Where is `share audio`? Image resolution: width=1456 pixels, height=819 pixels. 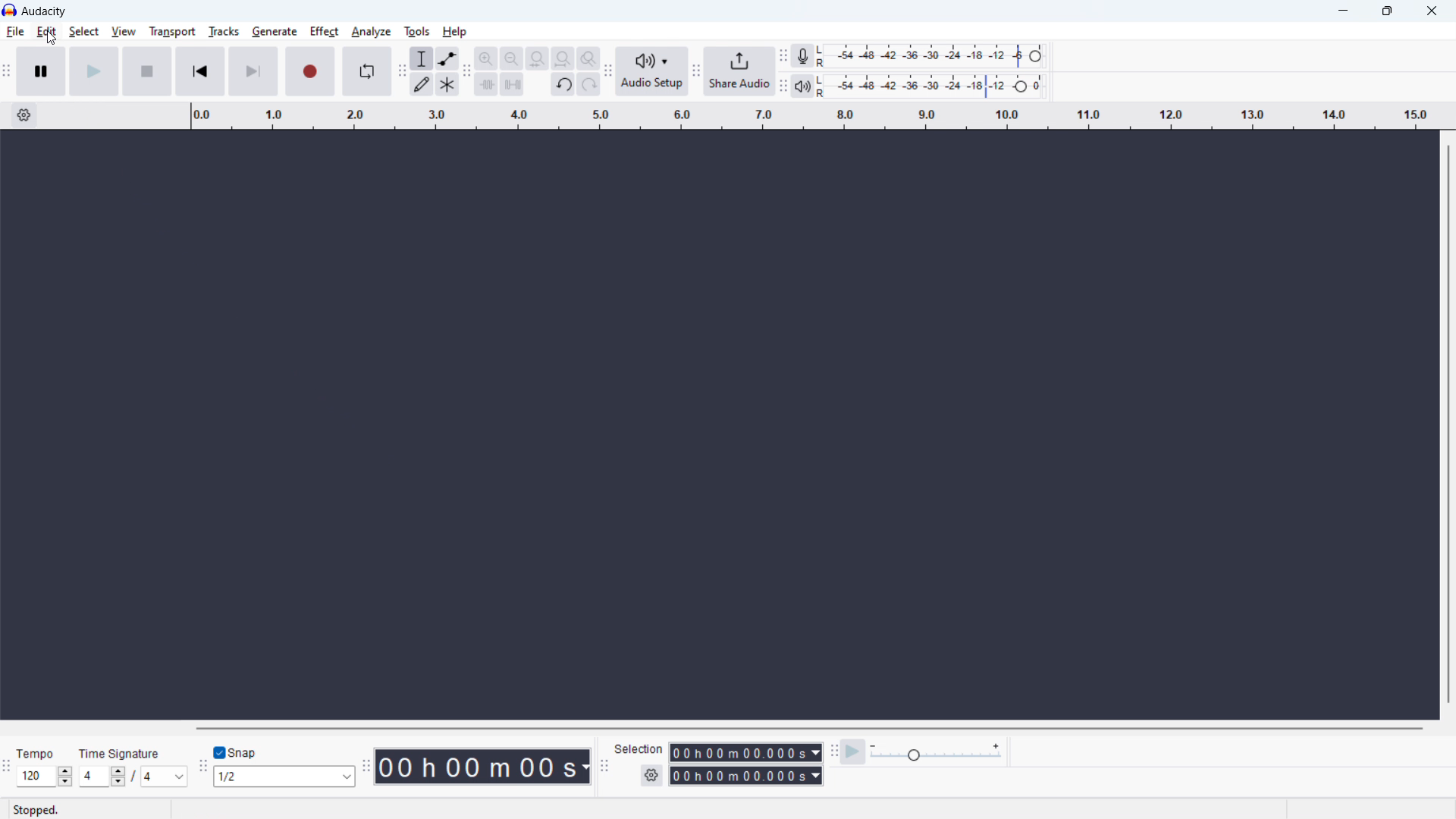 share audio is located at coordinates (741, 71).